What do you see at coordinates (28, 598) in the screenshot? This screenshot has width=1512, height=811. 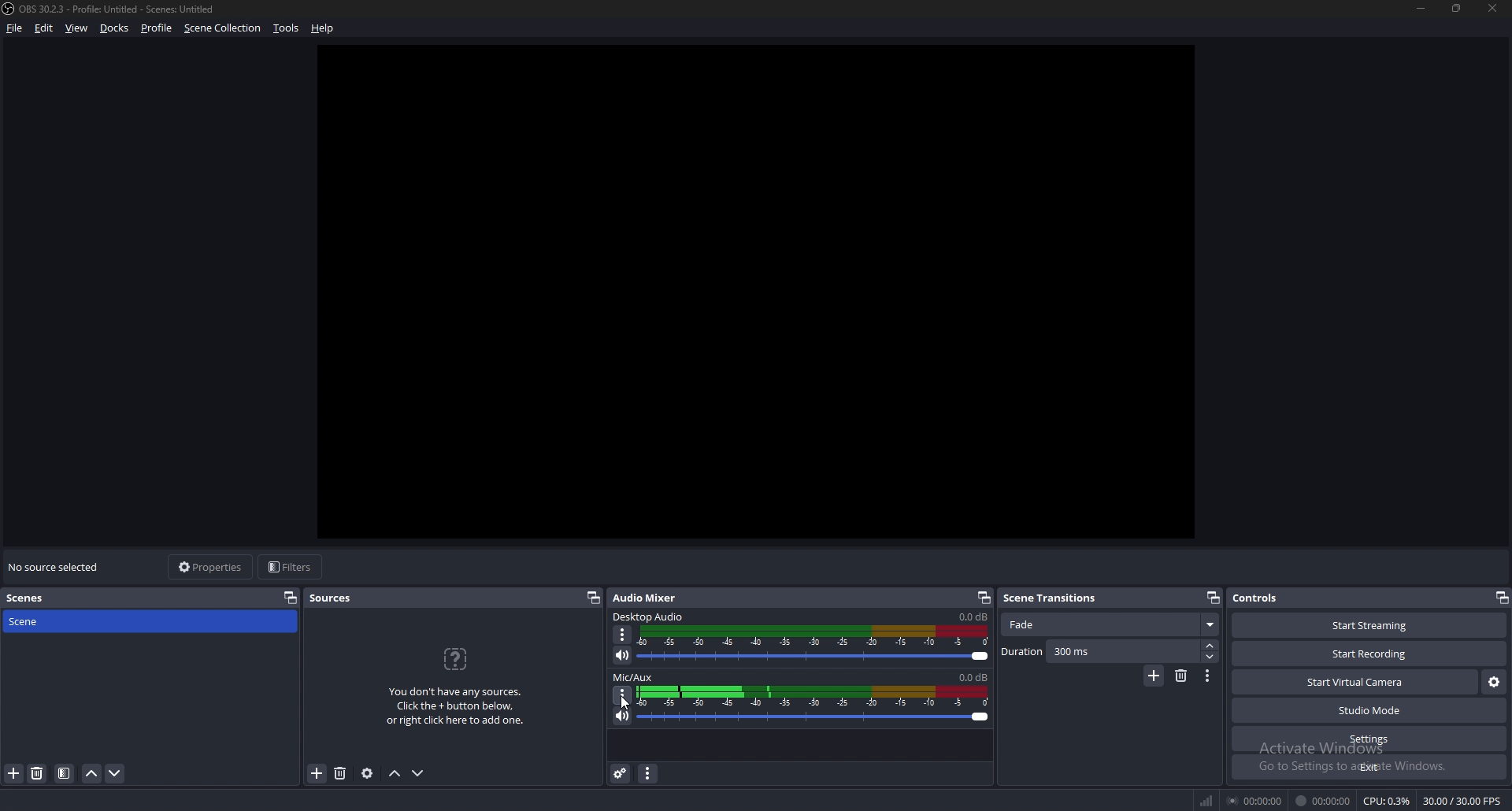 I see `scenes` at bounding box center [28, 598].